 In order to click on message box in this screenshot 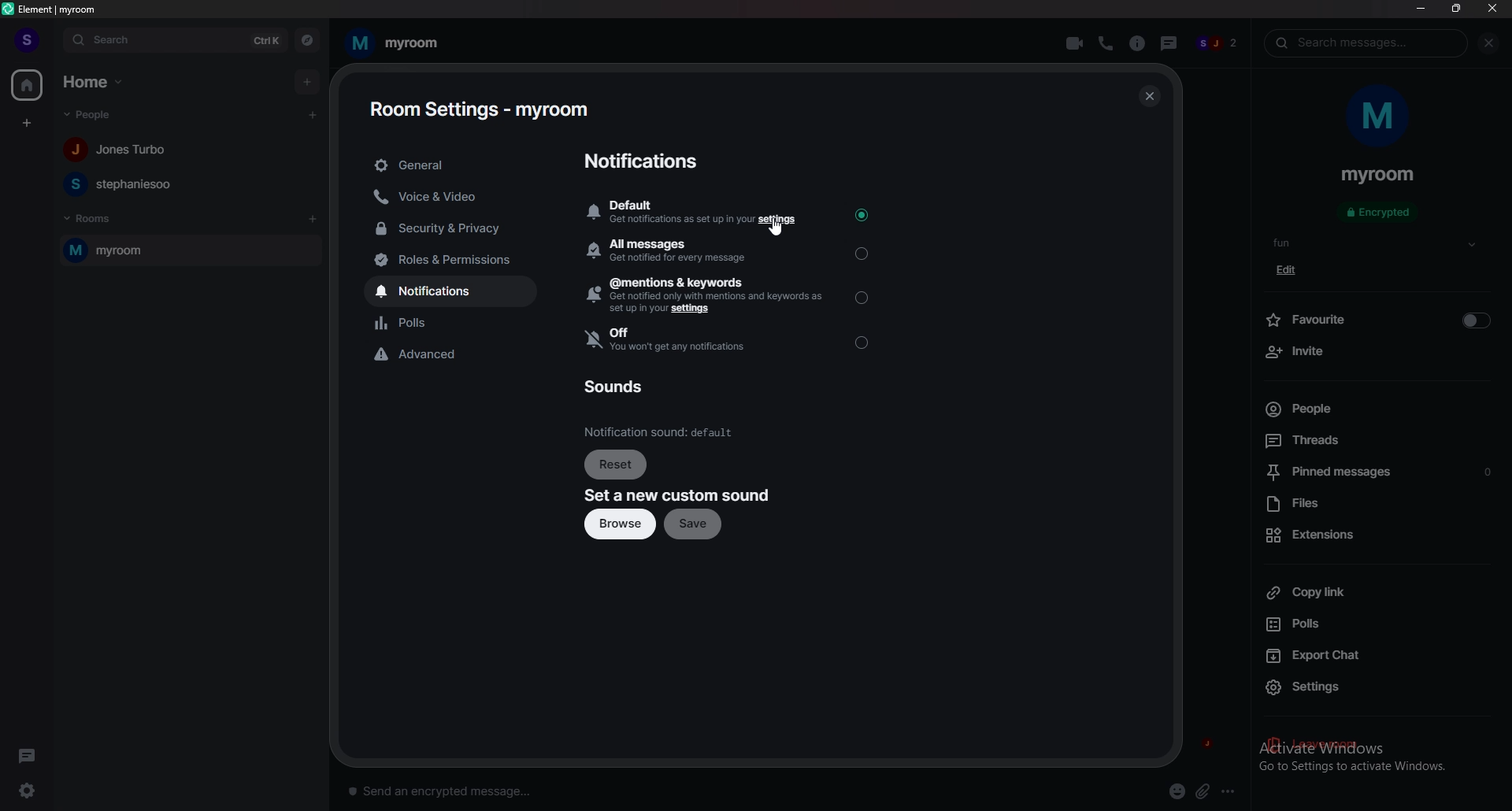, I will do `click(447, 789)`.